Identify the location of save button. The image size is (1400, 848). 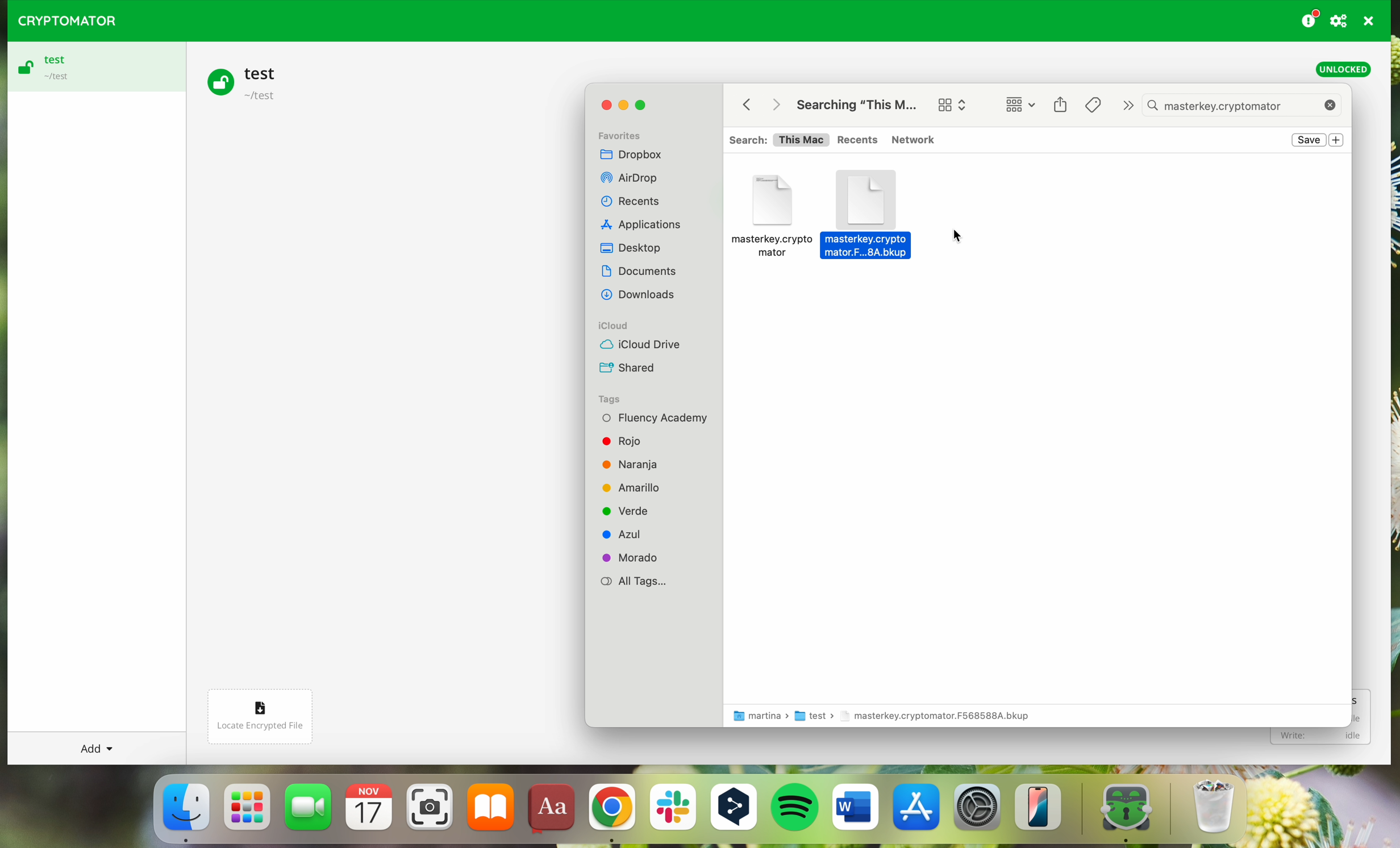
(1309, 140).